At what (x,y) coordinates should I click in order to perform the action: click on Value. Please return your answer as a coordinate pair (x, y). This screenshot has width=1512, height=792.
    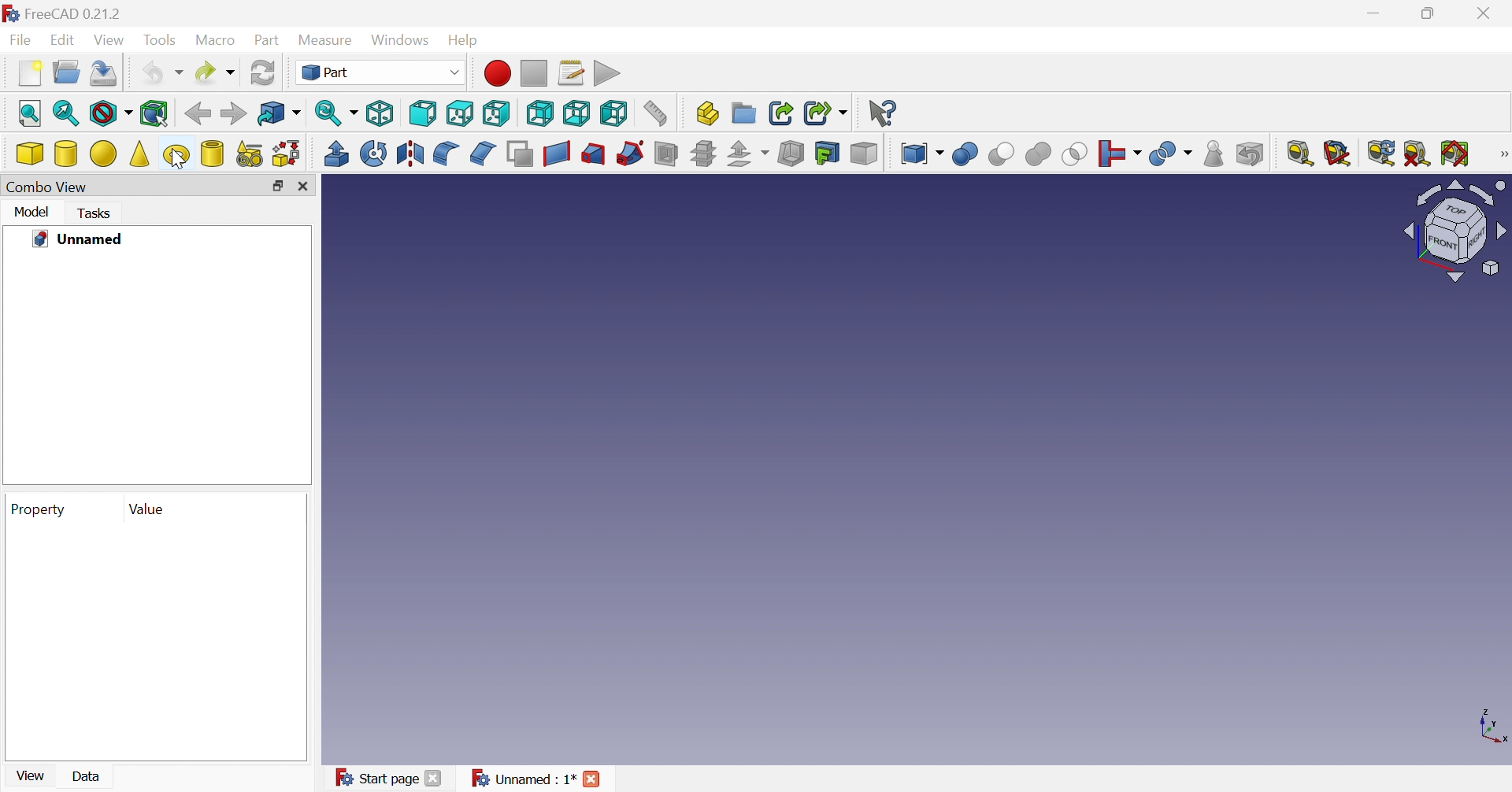
    Looking at the image, I should click on (148, 509).